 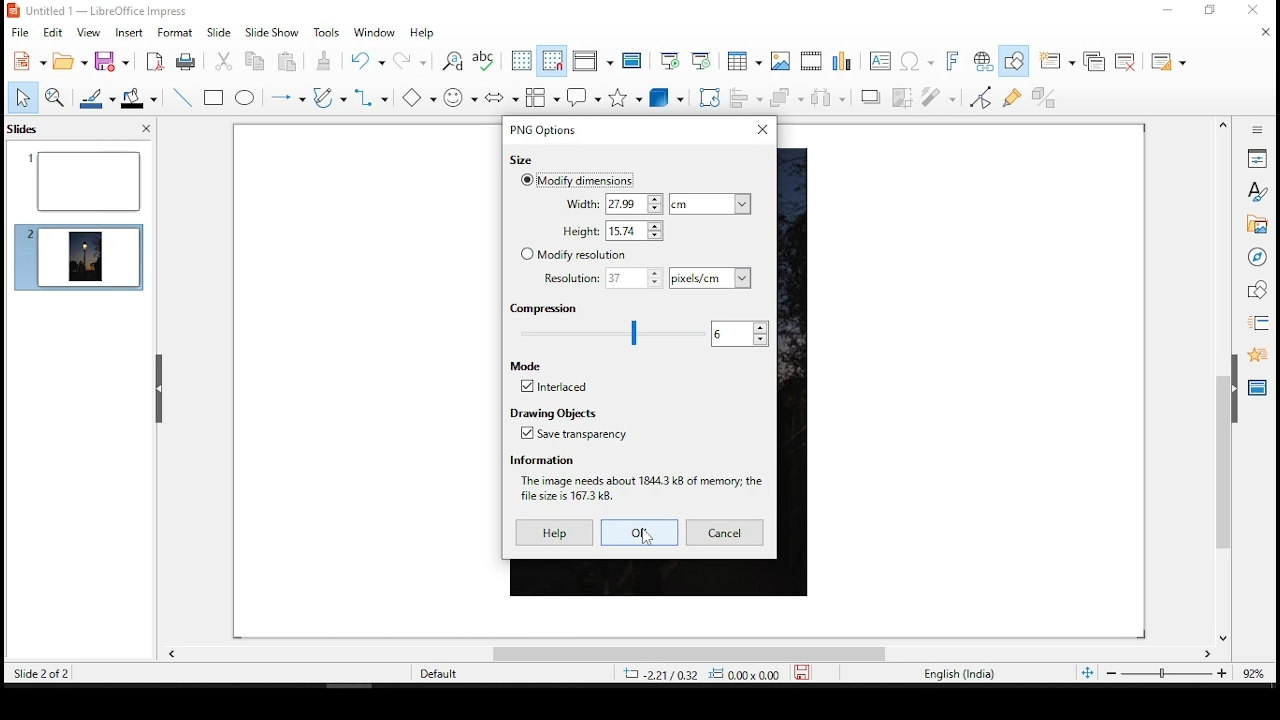 What do you see at coordinates (183, 96) in the screenshot?
I see `line` at bounding box center [183, 96].